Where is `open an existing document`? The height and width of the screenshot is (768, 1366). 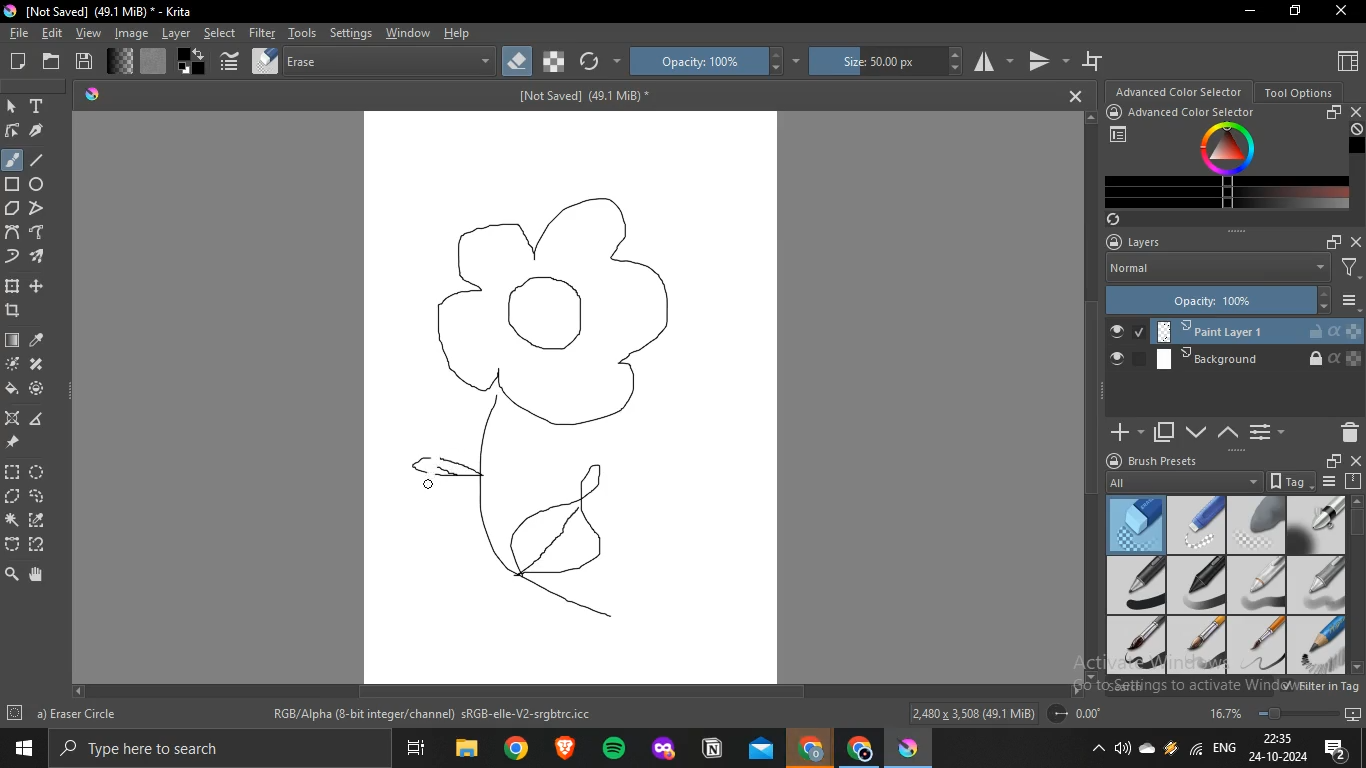
open an existing document is located at coordinates (54, 61).